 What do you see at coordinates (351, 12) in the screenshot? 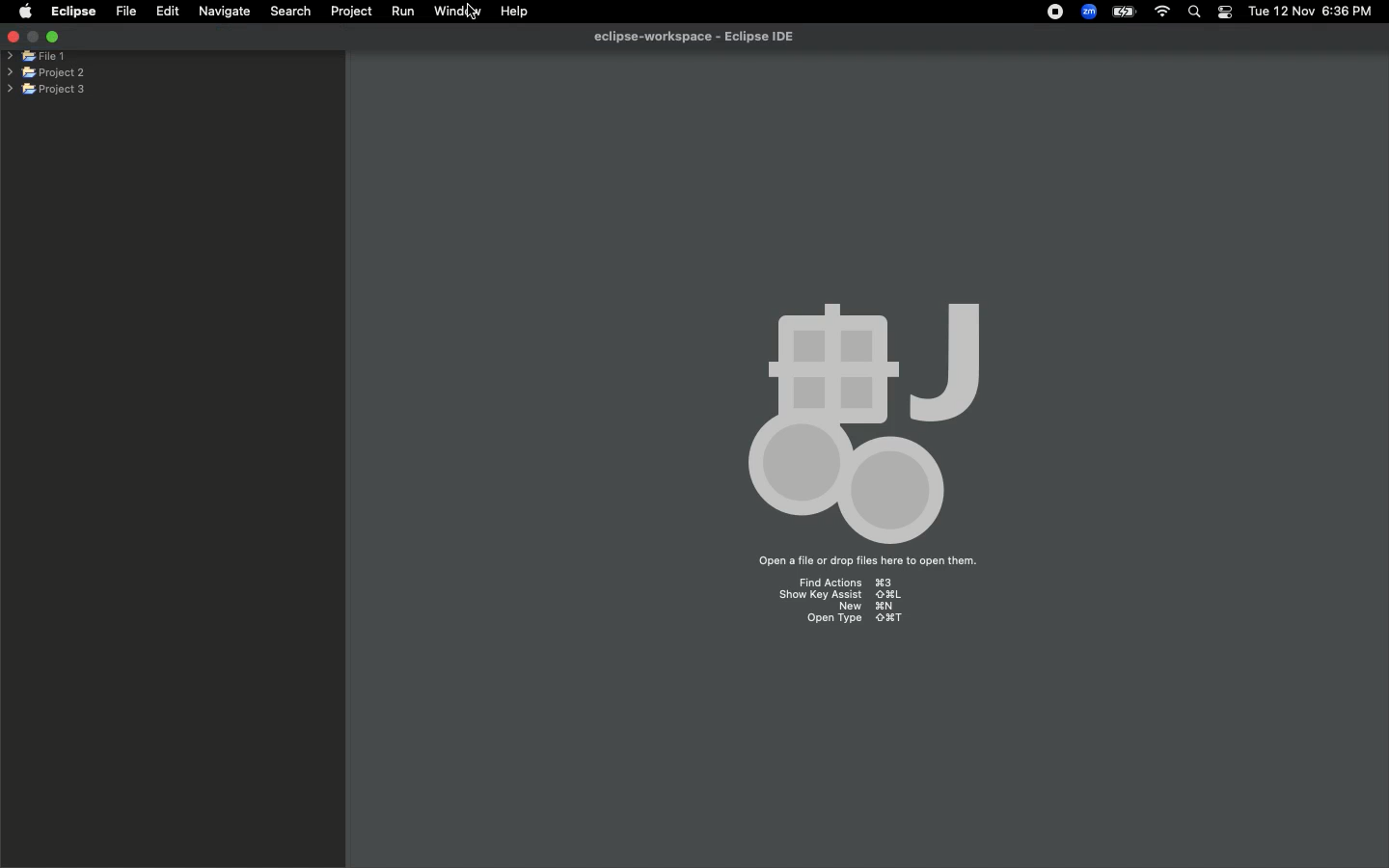
I see `Project` at bounding box center [351, 12].